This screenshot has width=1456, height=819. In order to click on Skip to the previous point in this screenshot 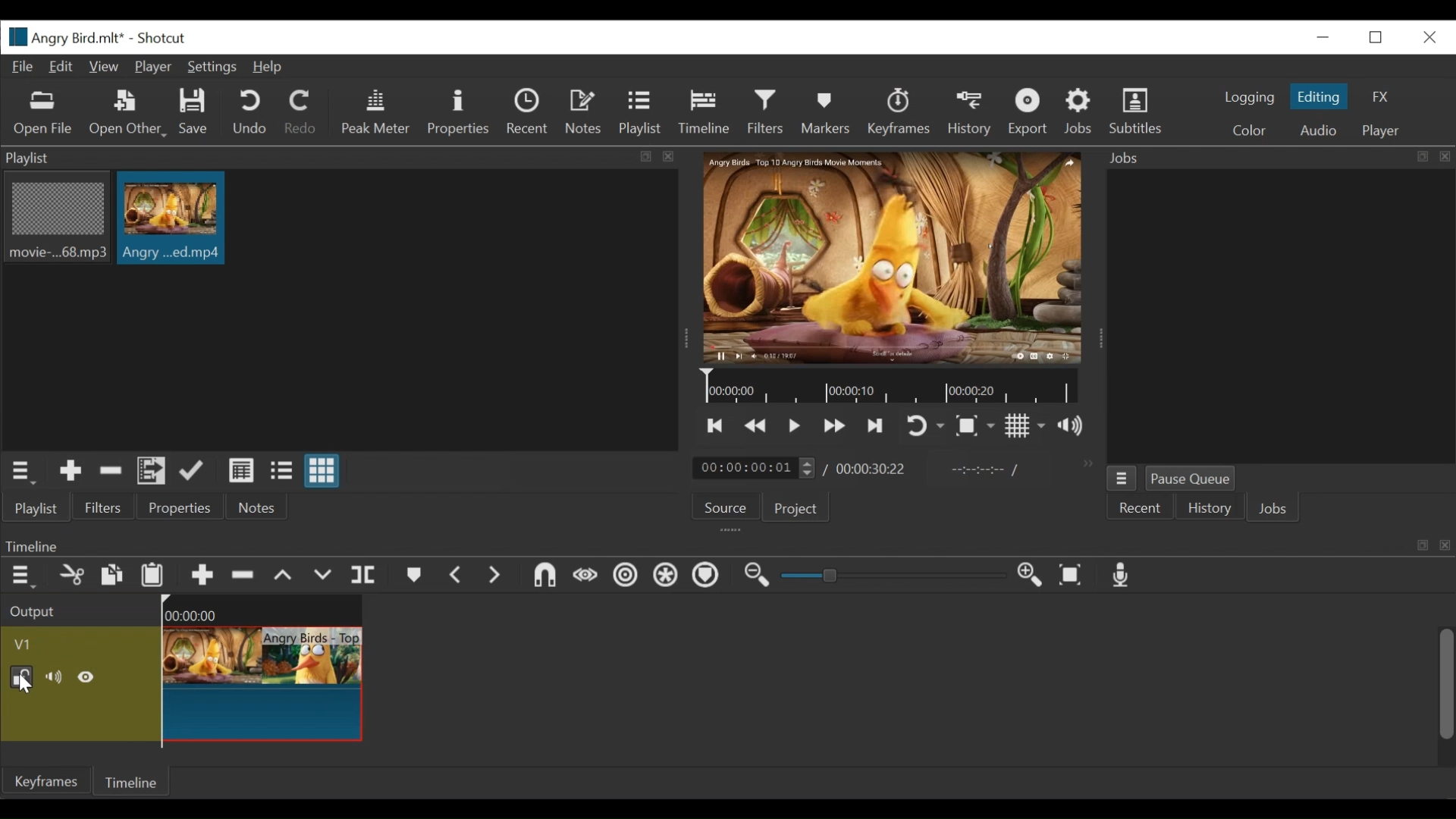, I will do `click(715, 427)`.